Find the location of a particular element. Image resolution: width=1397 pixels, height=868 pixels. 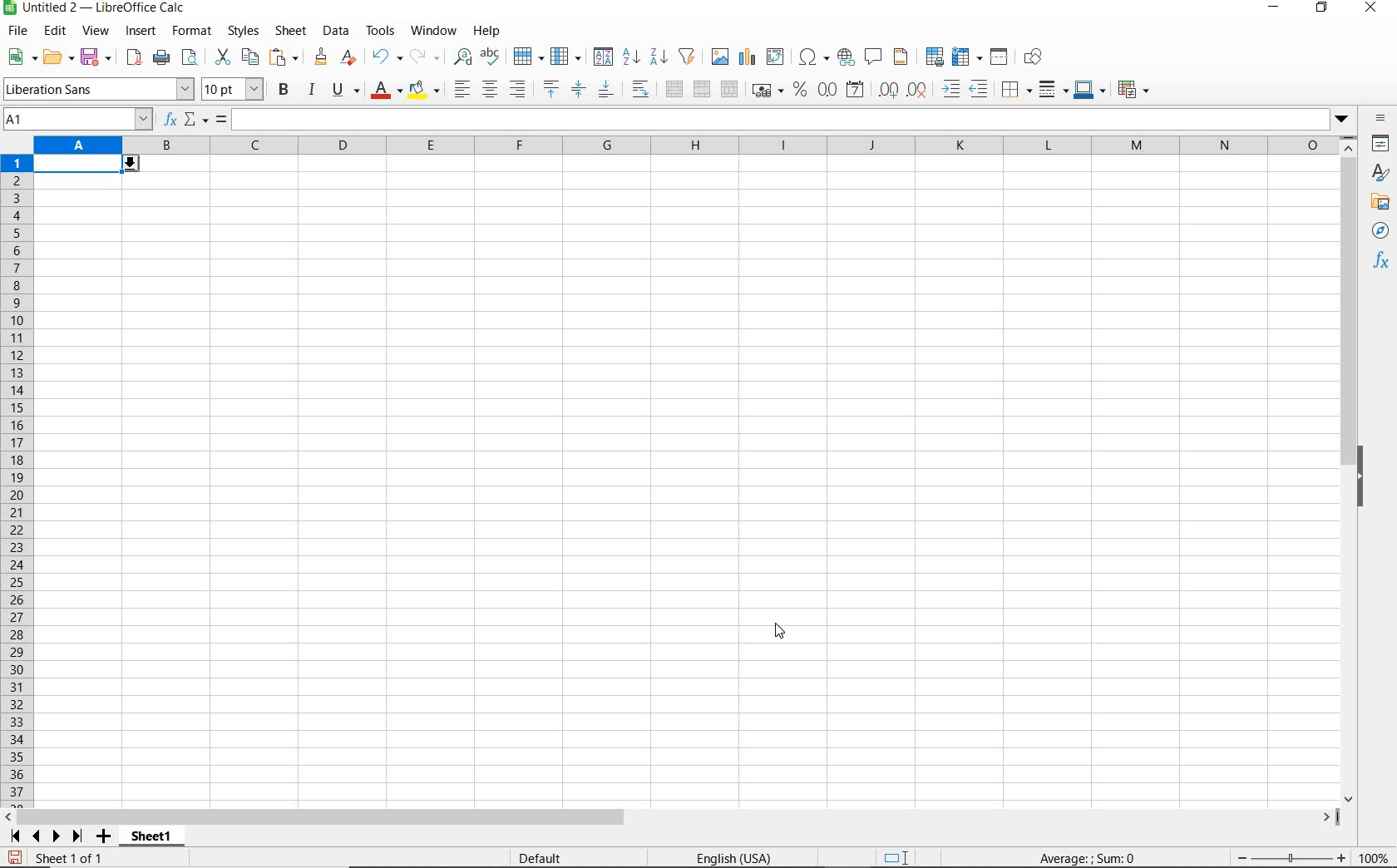

align bottom is located at coordinates (605, 91).